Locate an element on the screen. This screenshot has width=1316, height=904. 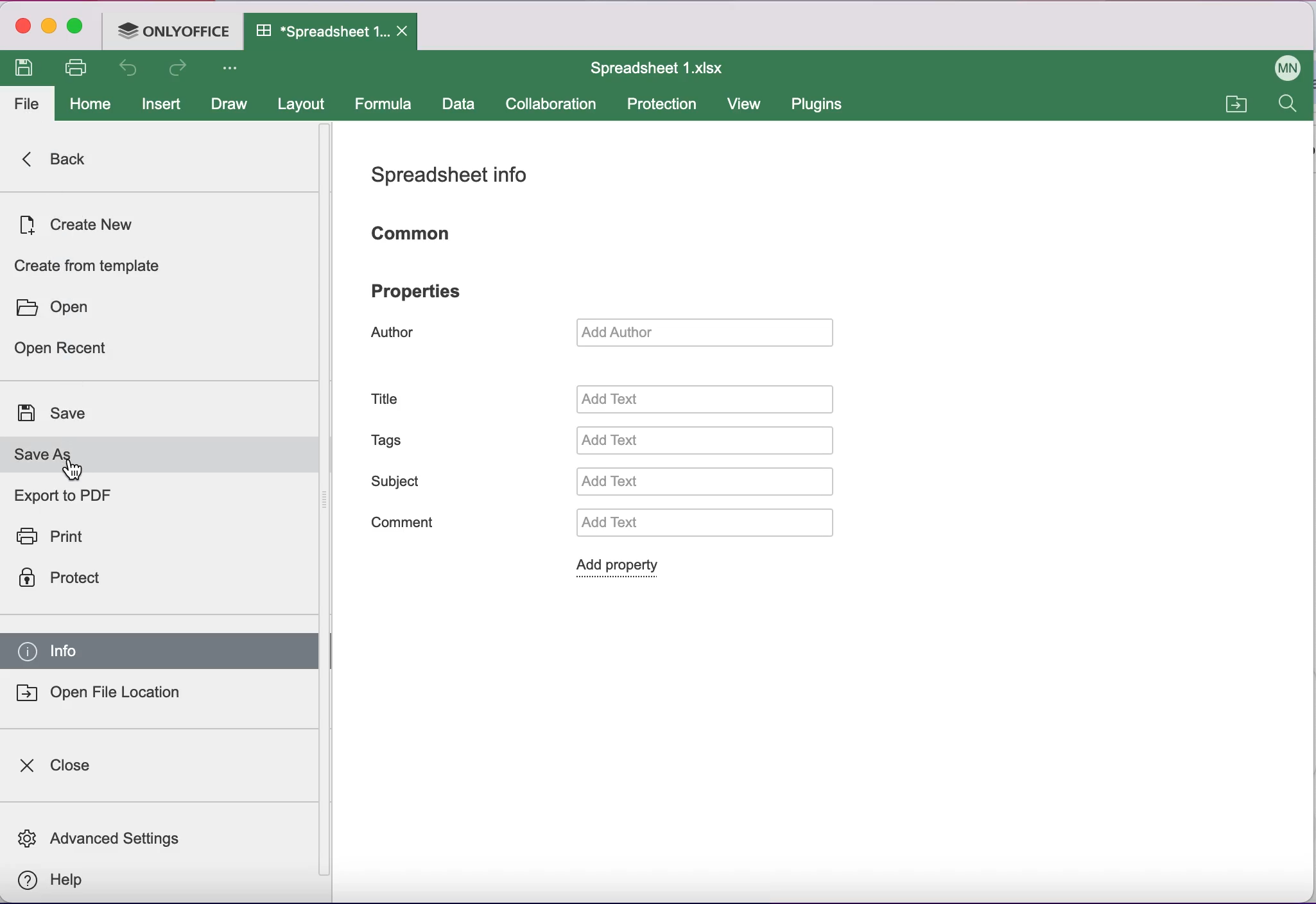
layout is located at coordinates (305, 105).